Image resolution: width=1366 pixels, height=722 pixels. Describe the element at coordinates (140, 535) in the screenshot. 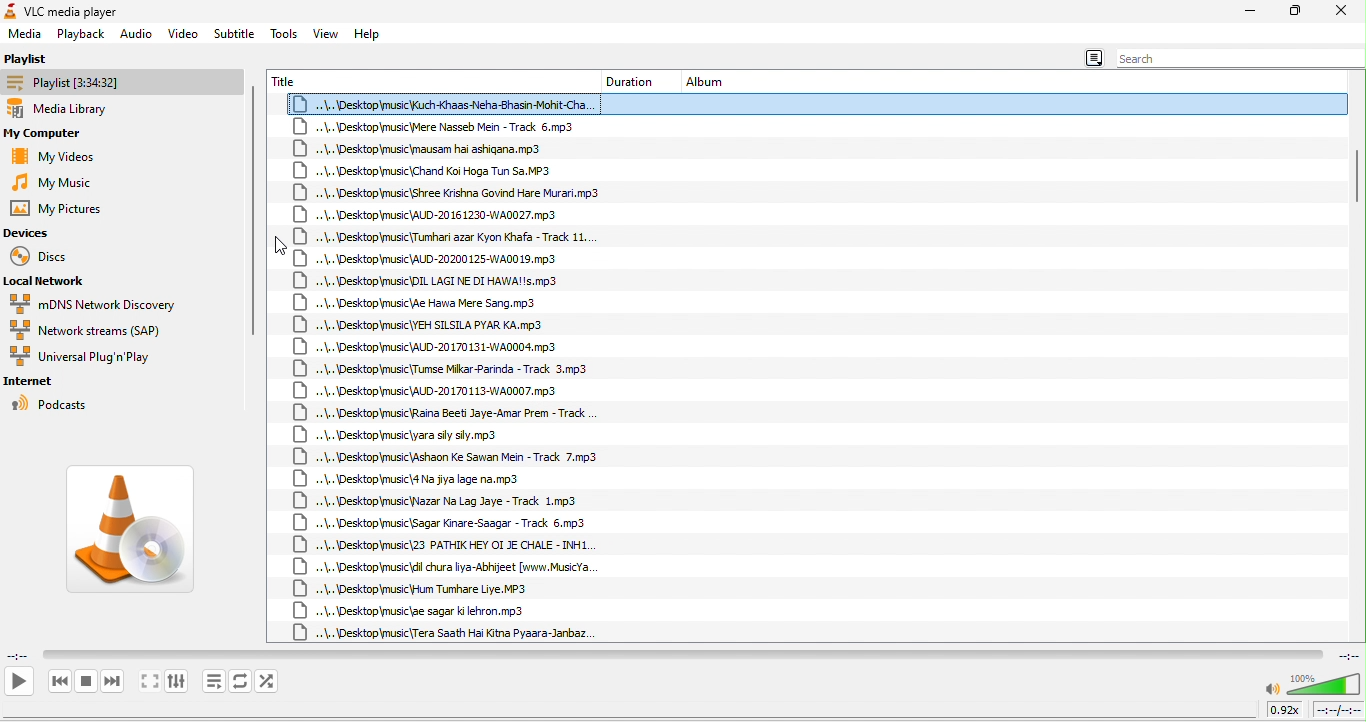

I see `vlc media image` at that location.